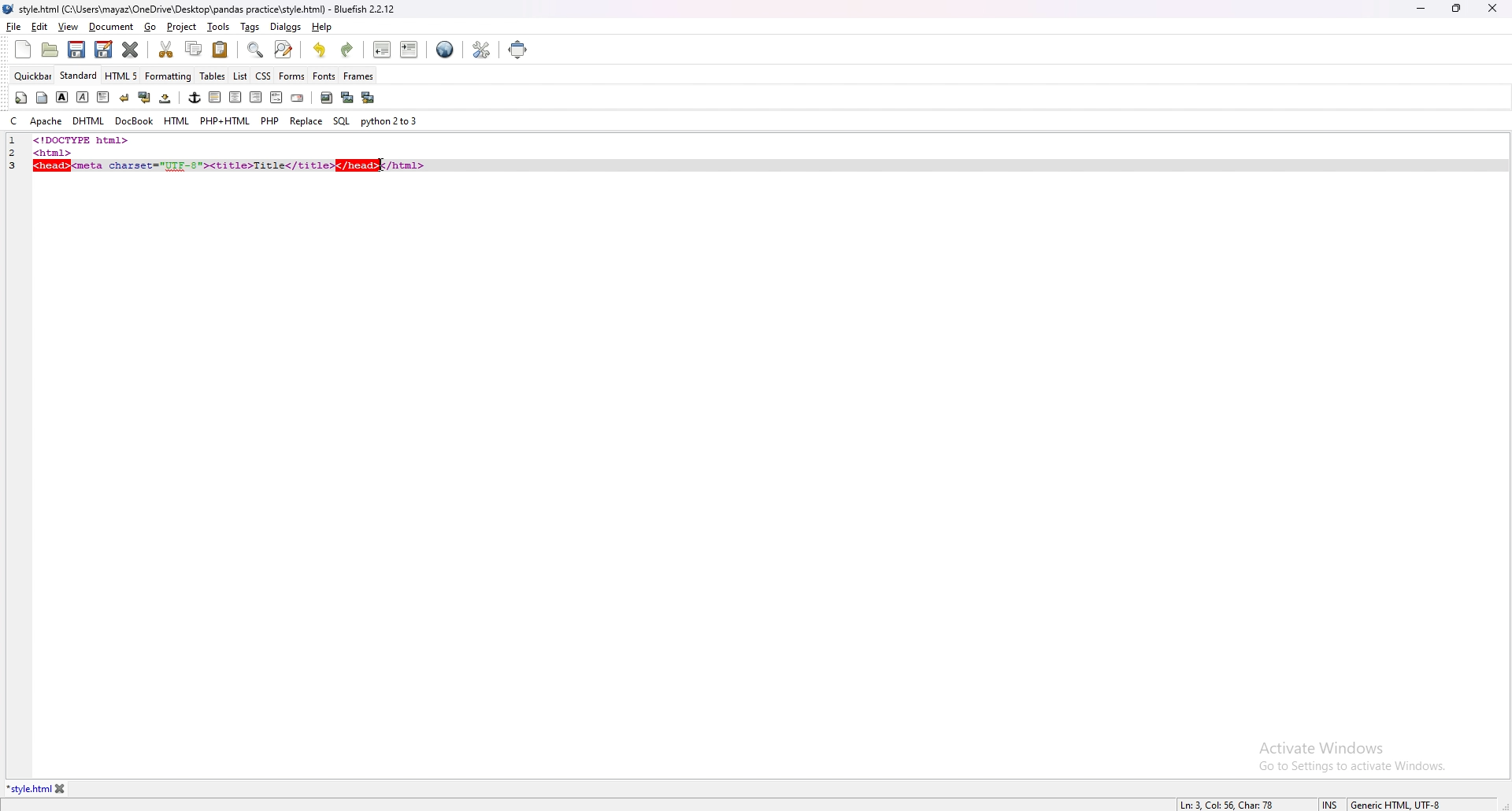 The width and height of the screenshot is (1512, 811). I want to click on html, so click(177, 121).